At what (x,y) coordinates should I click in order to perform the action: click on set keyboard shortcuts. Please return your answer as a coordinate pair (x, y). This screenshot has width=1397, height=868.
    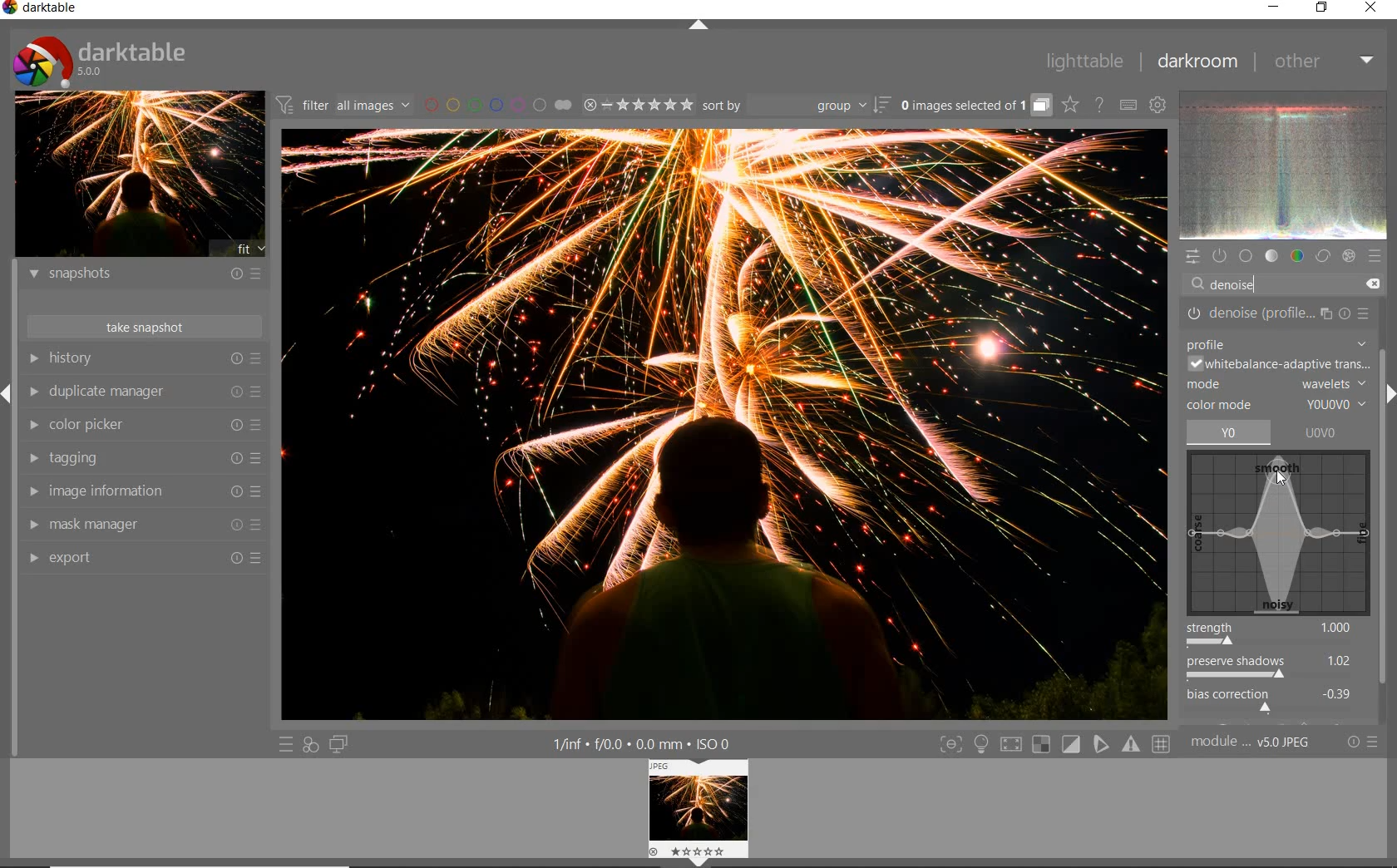
    Looking at the image, I should click on (1127, 105).